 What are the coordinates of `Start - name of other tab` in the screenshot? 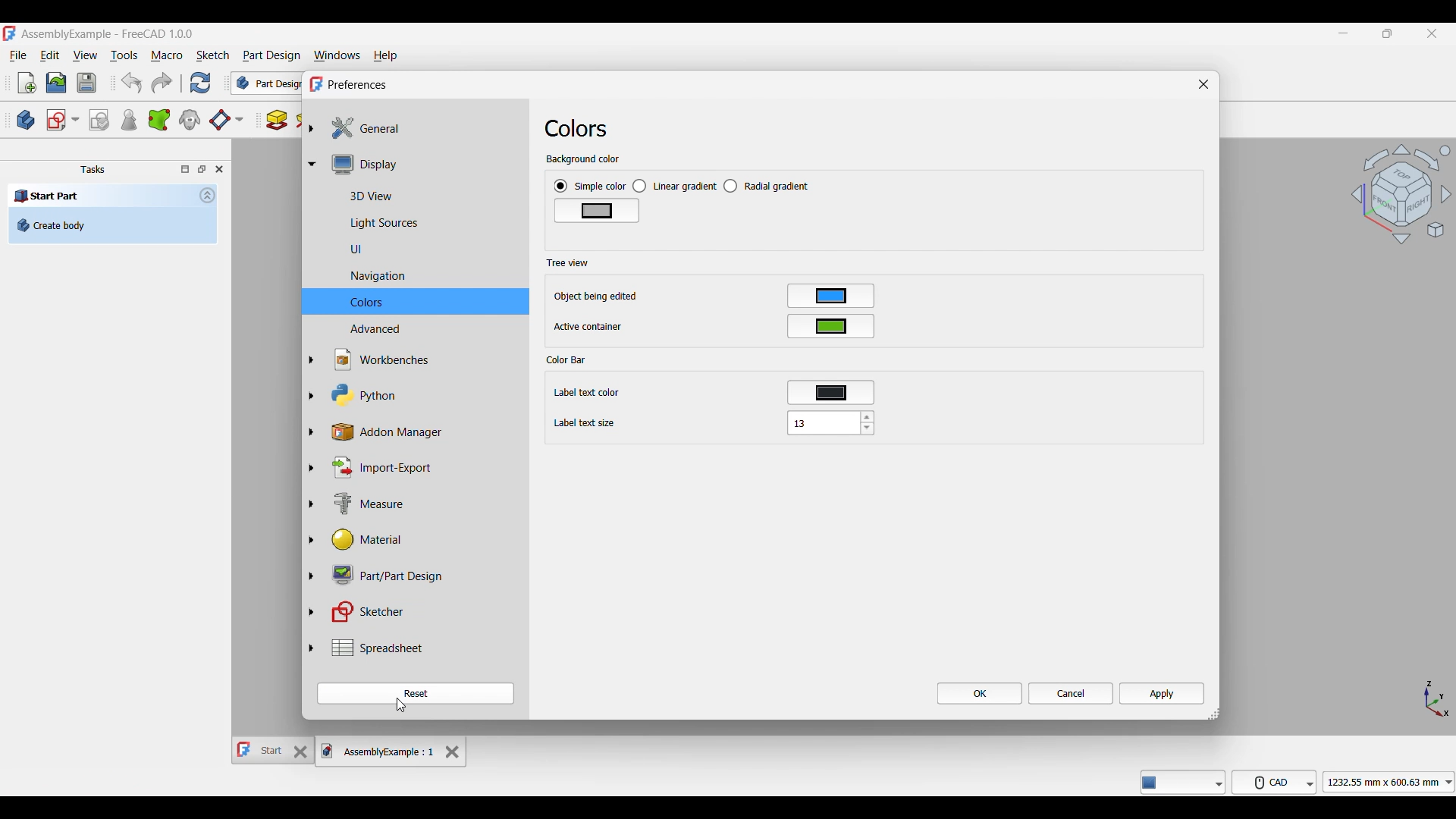 It's located at (261, 750).